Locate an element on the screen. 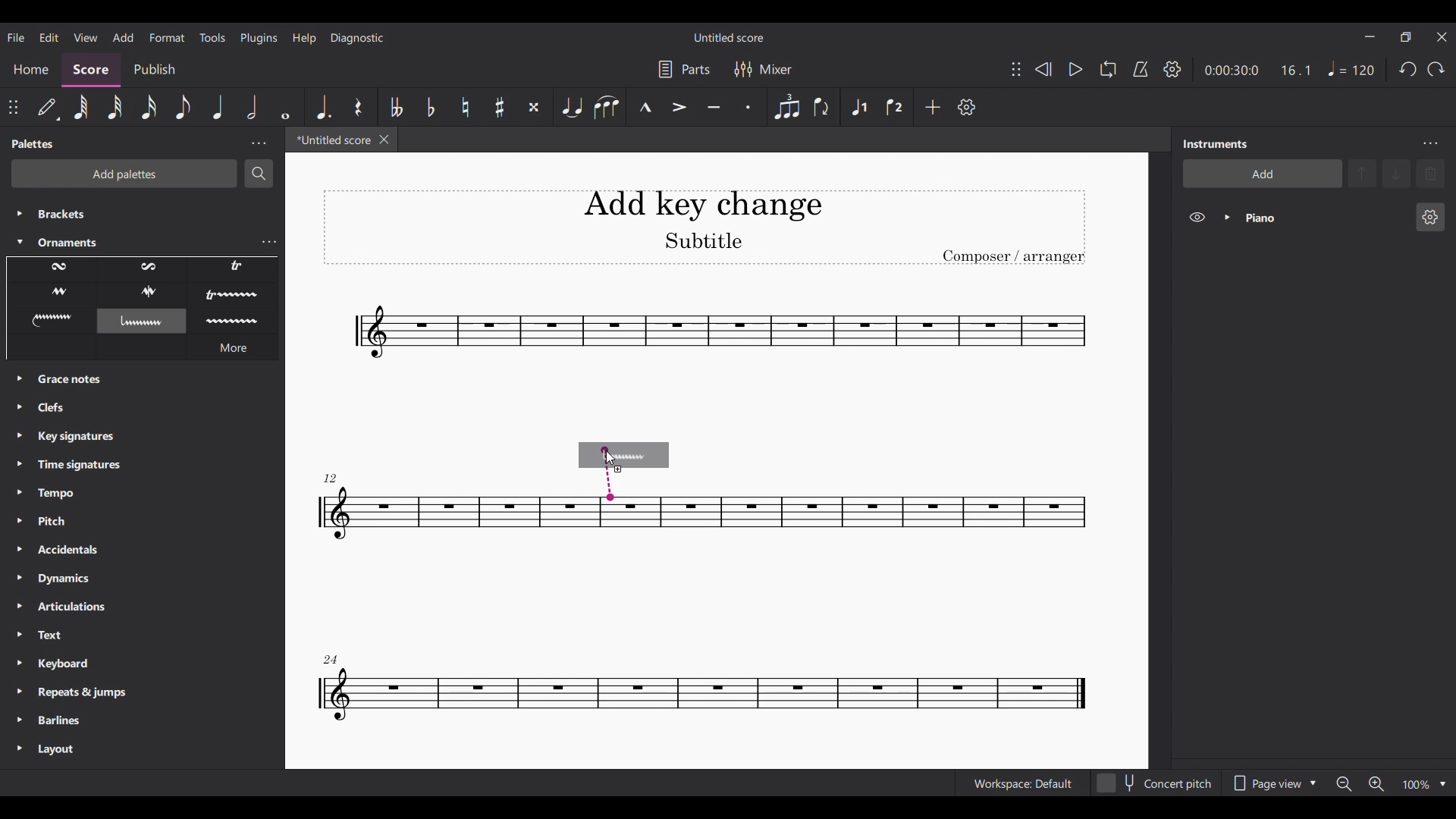 This screenshot has width=1456, height=819. Zoom in is located at coordinates (1376, 784).